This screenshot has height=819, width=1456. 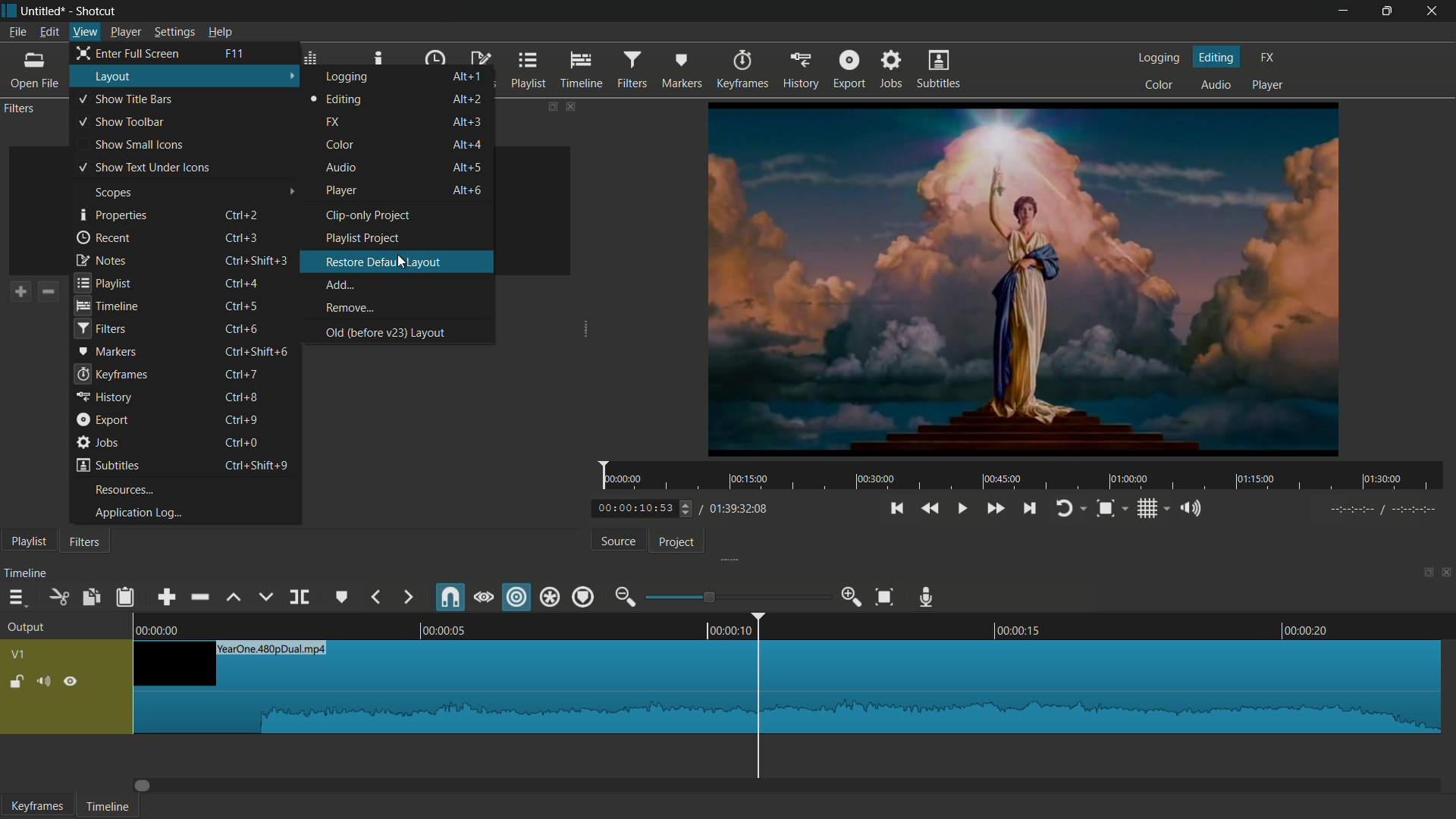 What do you see at coordinates (243, 307) in the screenshot?
I see `keyboard shortcut` at bounding box center [243, 307].